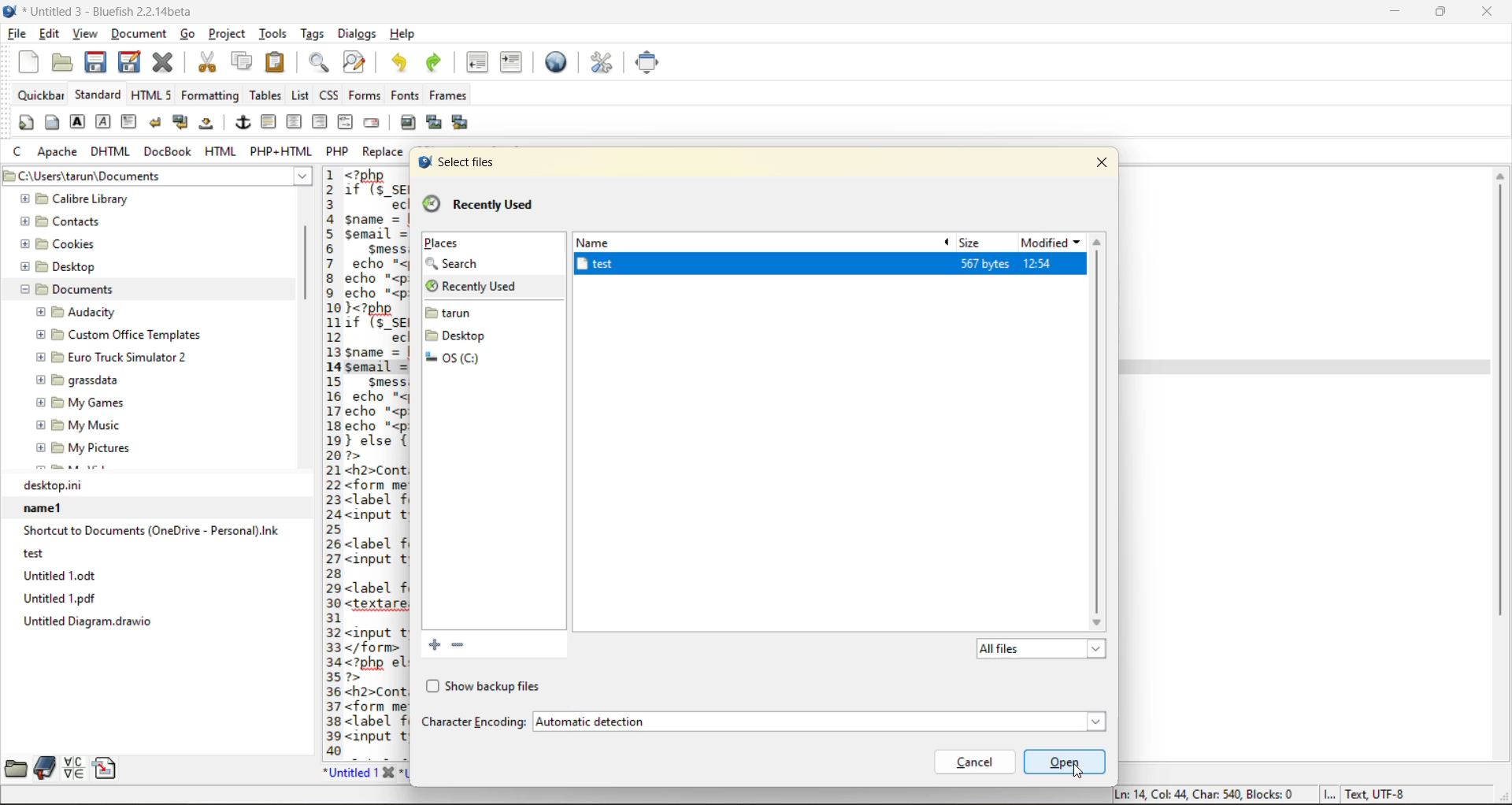 This screenshot has width=1512, height=805. What do you see at coordinates (103, 122) in the screenshot?
I see `emphasis` at bounding box center [103, 122].